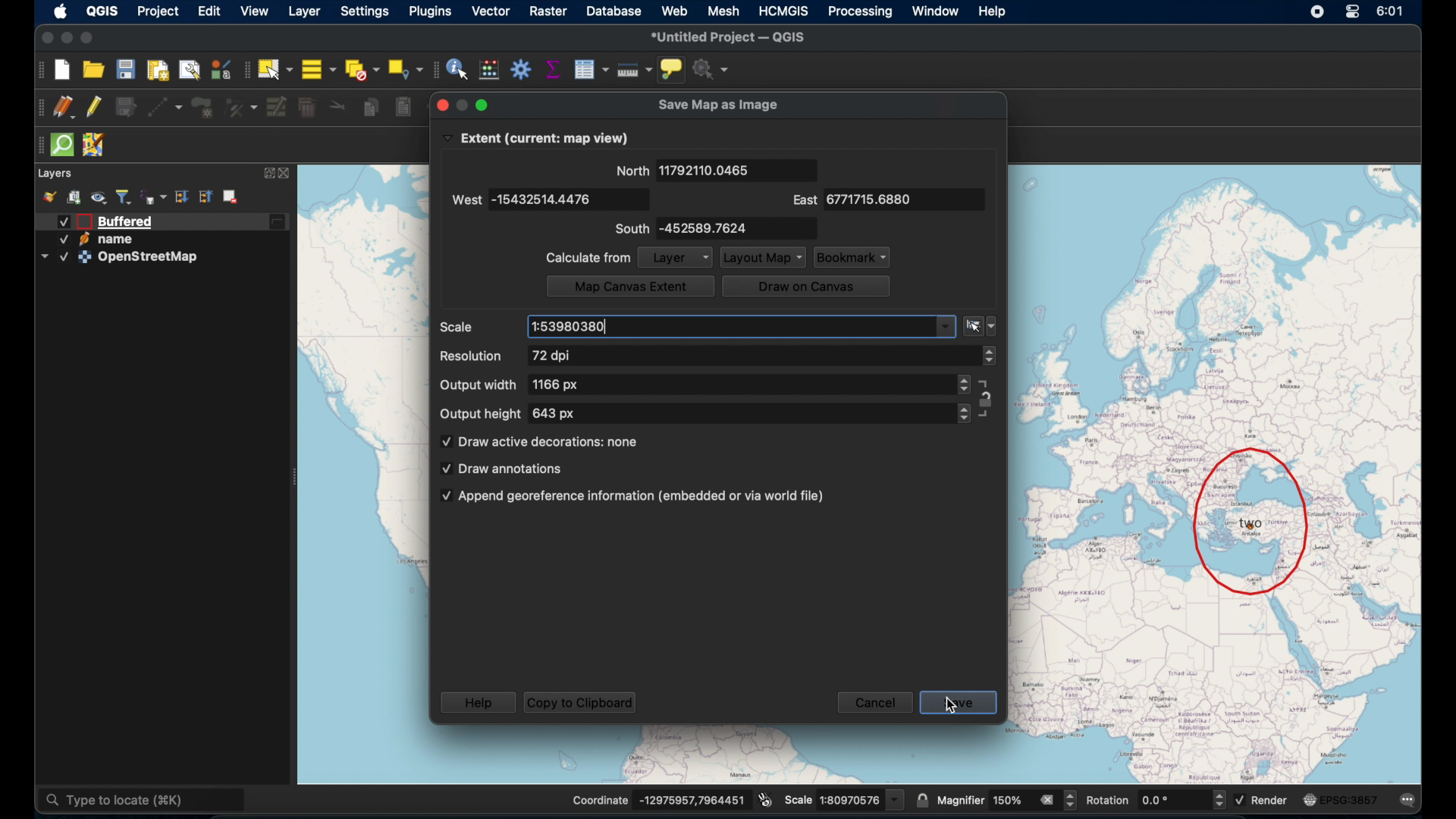 The width and height of the screenshot is (1456, 819). Describe the element at coordinates (1009, 799) in the screenshot. I see `magnifier value` at that location.